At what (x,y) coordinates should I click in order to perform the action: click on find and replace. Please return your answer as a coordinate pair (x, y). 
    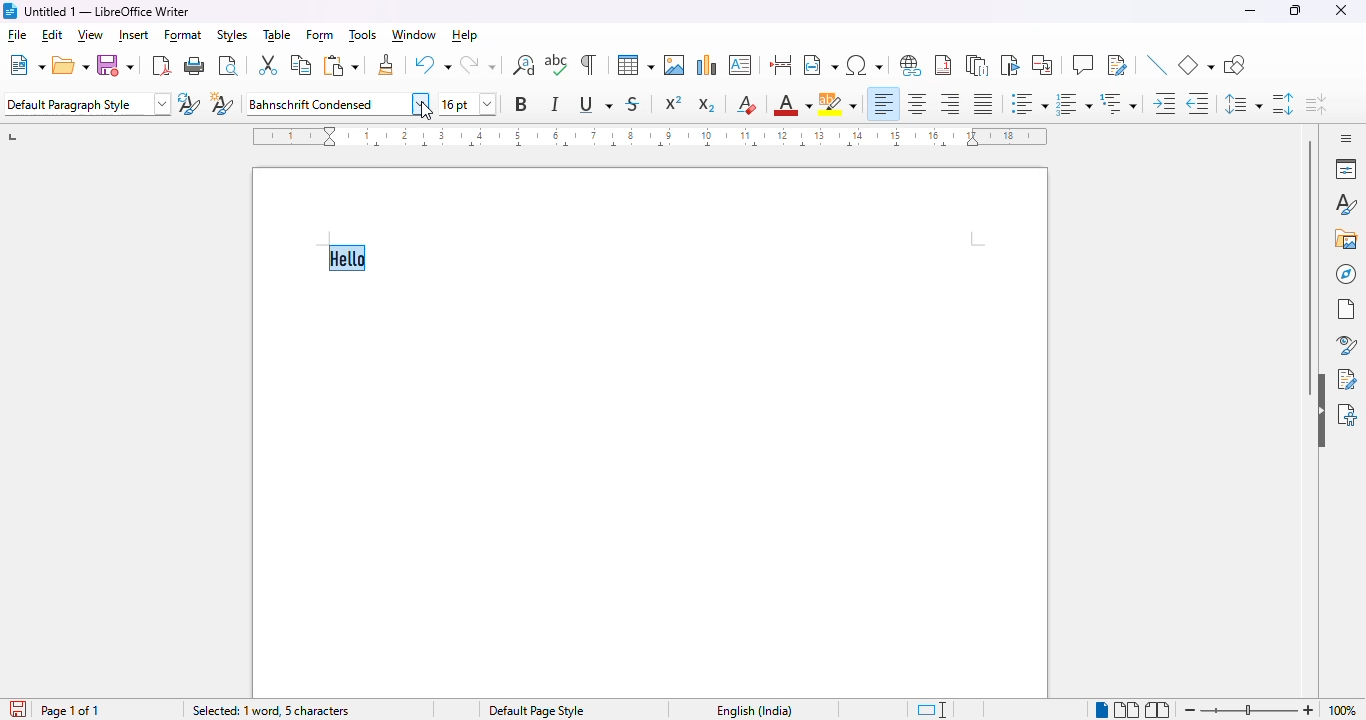
    Looking at the image, I should click on (524, 65).